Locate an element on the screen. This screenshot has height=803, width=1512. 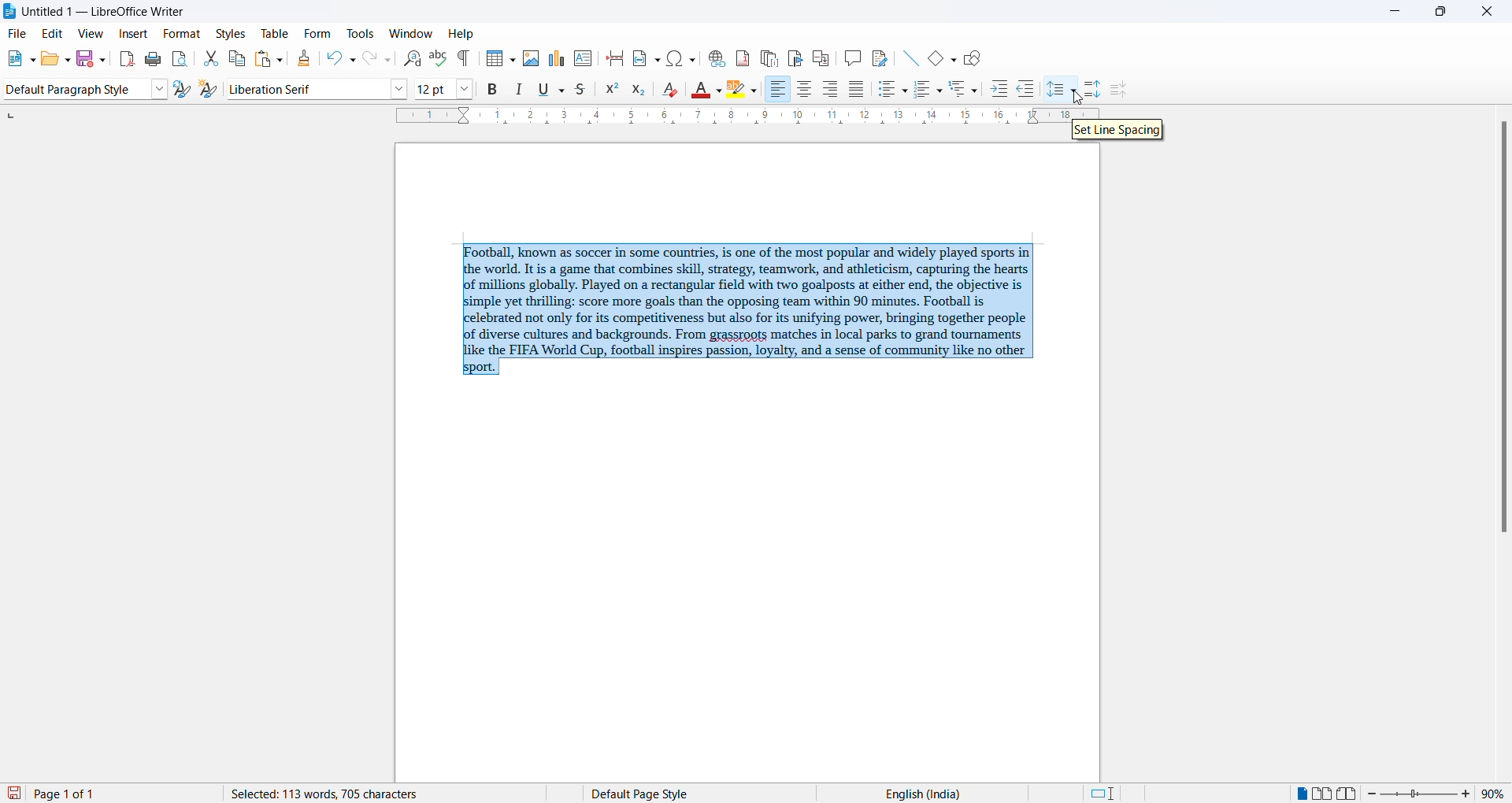
insert bookmark is located at coordinates (797, 58).